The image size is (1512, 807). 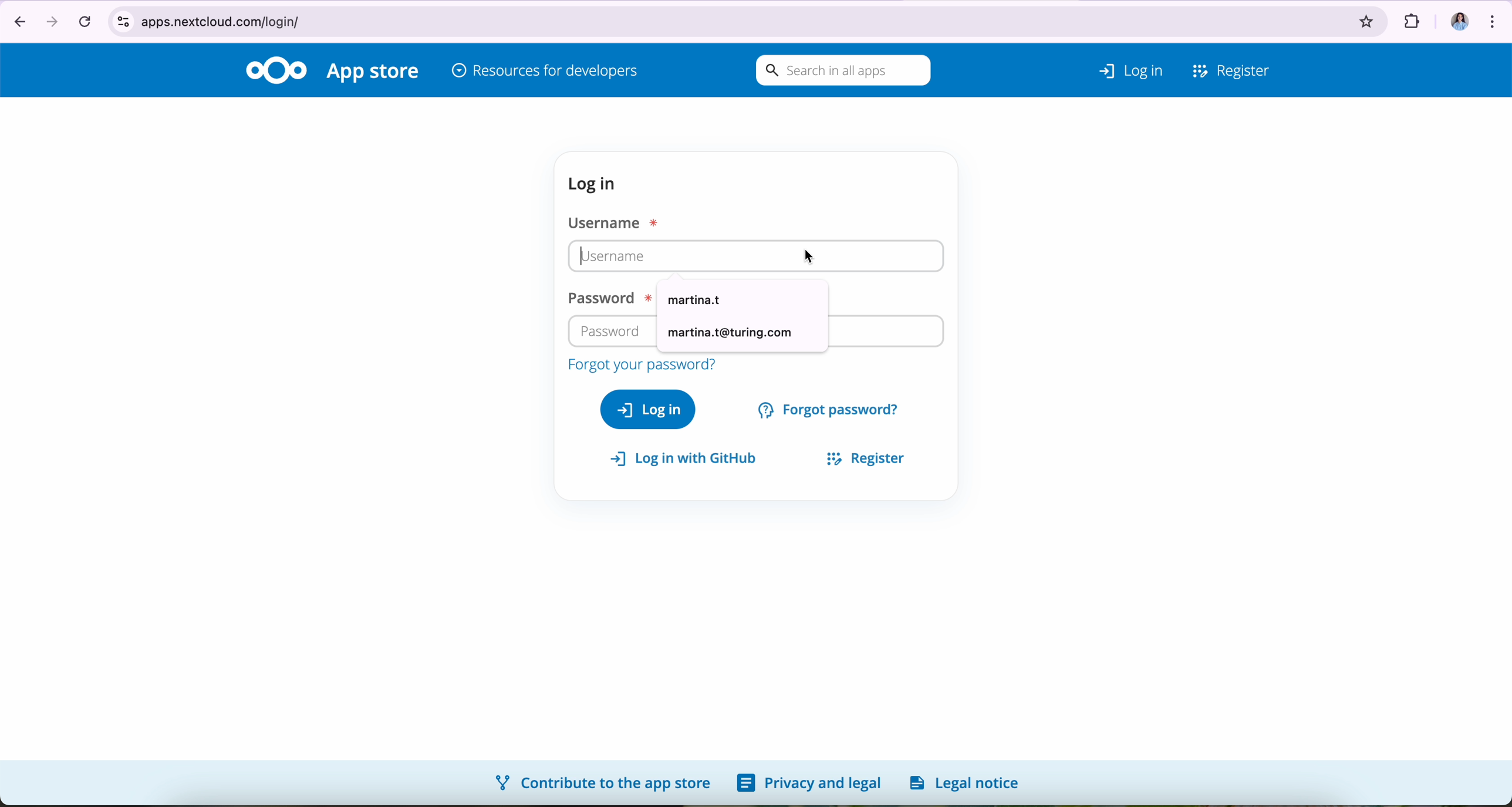 I want to click on apps.nextcloud.com, so click(x=724, y=19).